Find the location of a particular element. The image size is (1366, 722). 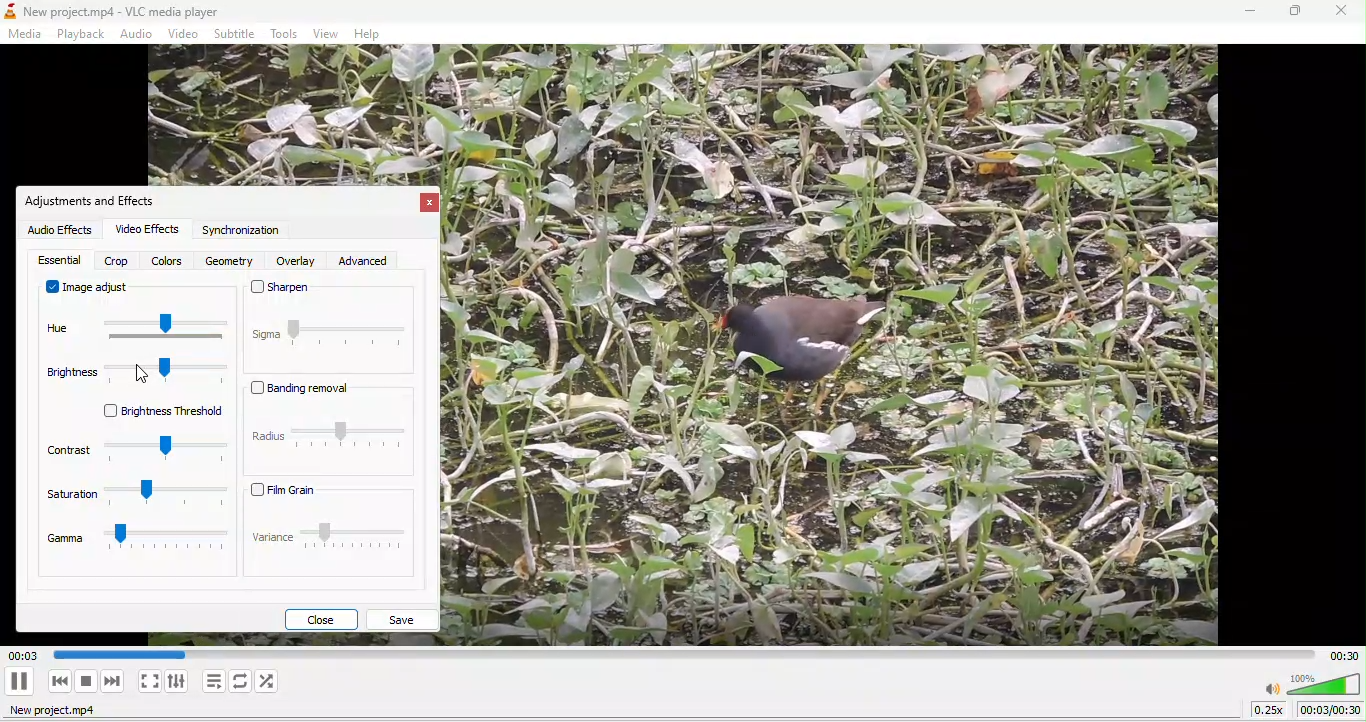

close is located at coordinates (1339, 13).